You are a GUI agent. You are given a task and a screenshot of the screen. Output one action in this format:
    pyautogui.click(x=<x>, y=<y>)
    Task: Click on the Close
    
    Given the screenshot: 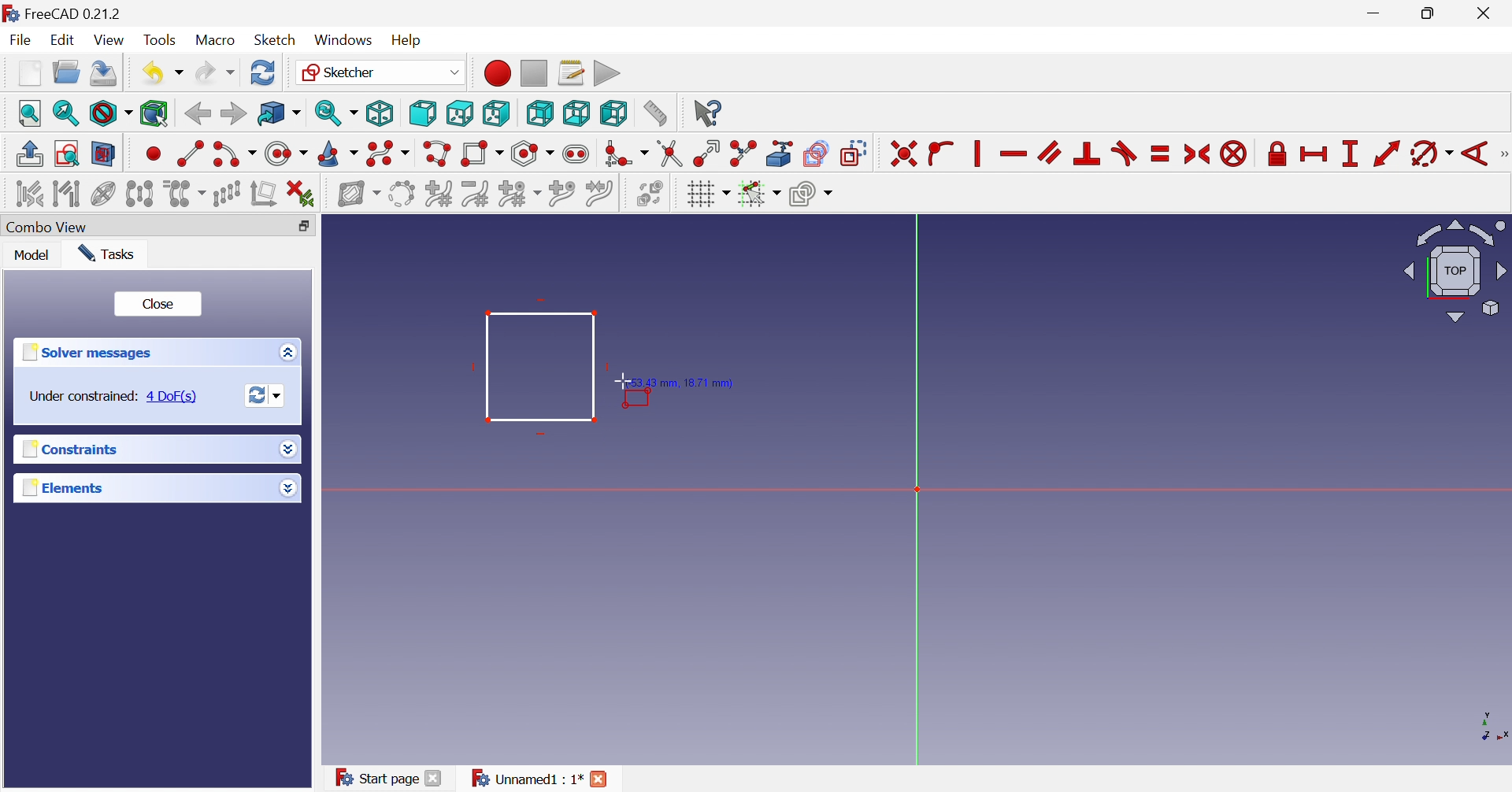 What is the action you would take?
    pyautogui.click(x=159, y=306)
    